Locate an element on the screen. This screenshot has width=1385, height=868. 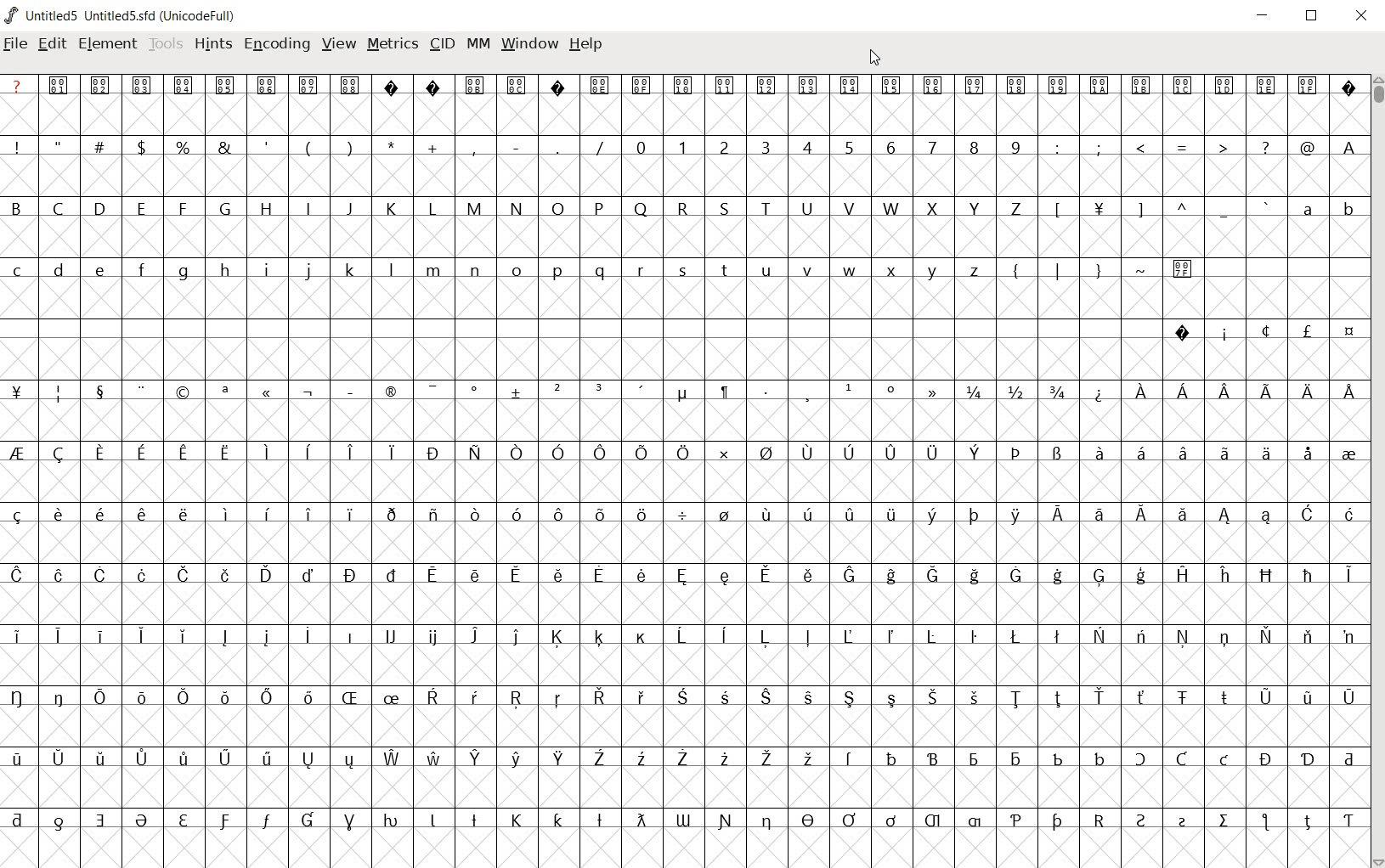
~ is located at coordinates (1141, 268).